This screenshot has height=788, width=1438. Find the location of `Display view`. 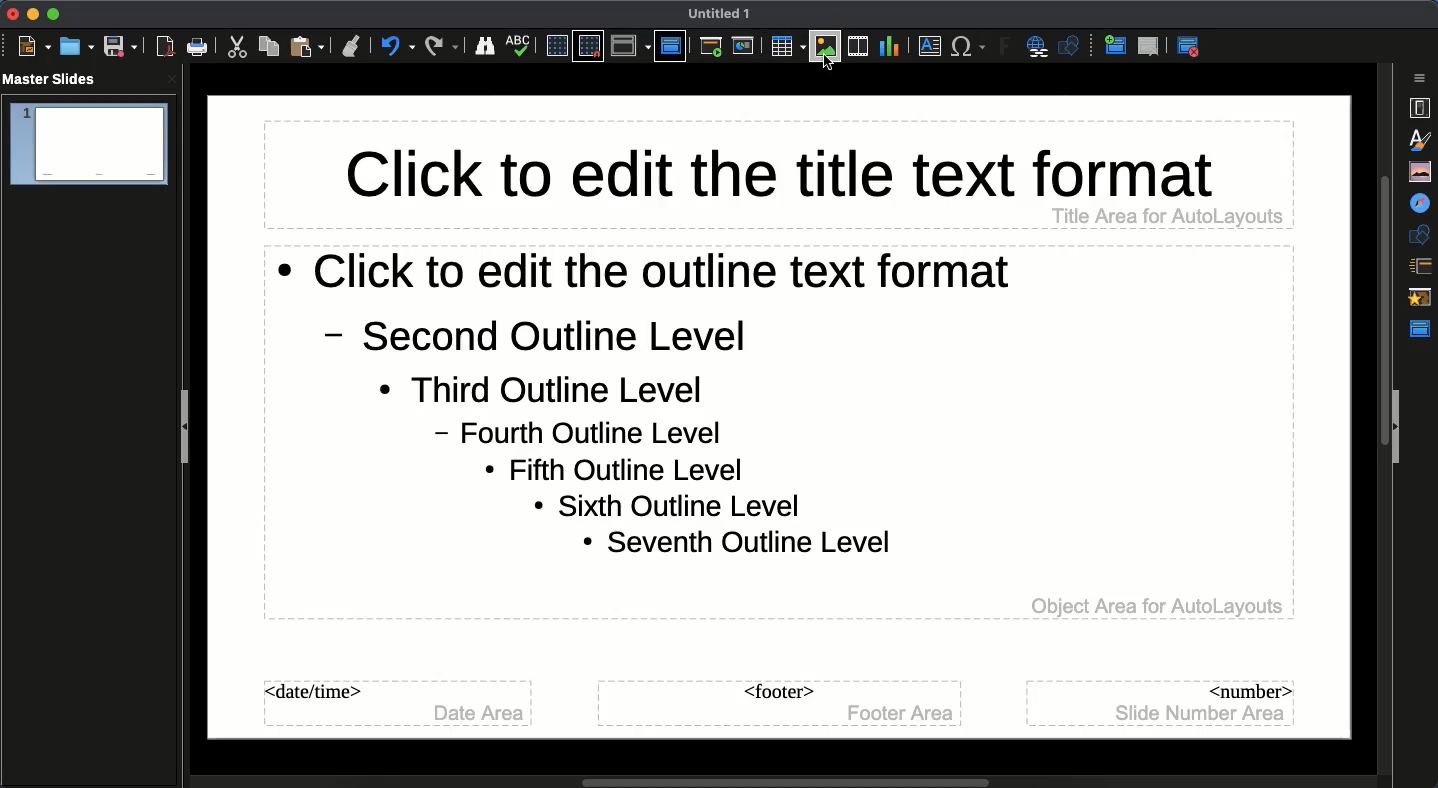

Display view is located at coordinates (630, 46).